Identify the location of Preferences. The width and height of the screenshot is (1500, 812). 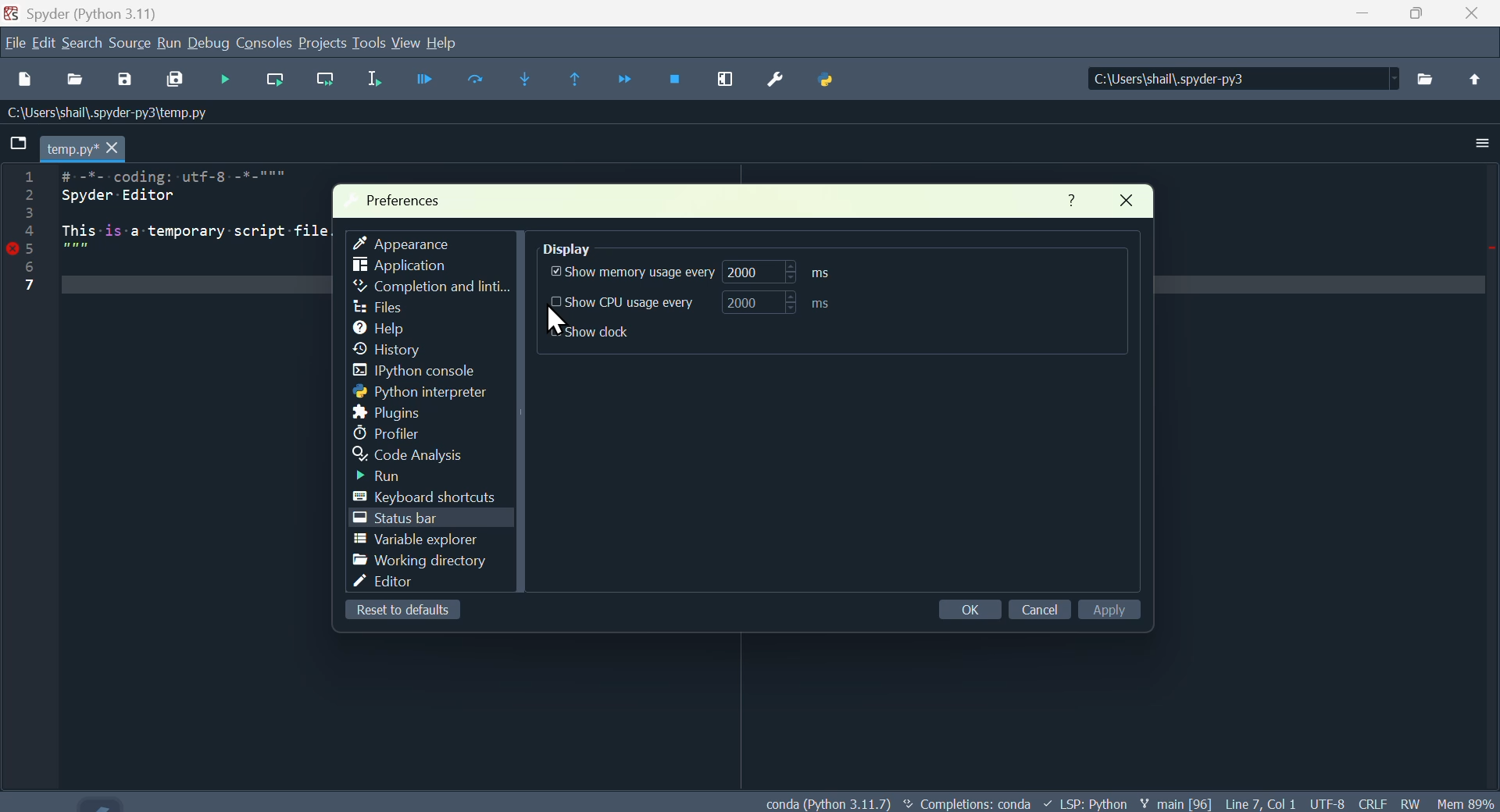
(776, 89).